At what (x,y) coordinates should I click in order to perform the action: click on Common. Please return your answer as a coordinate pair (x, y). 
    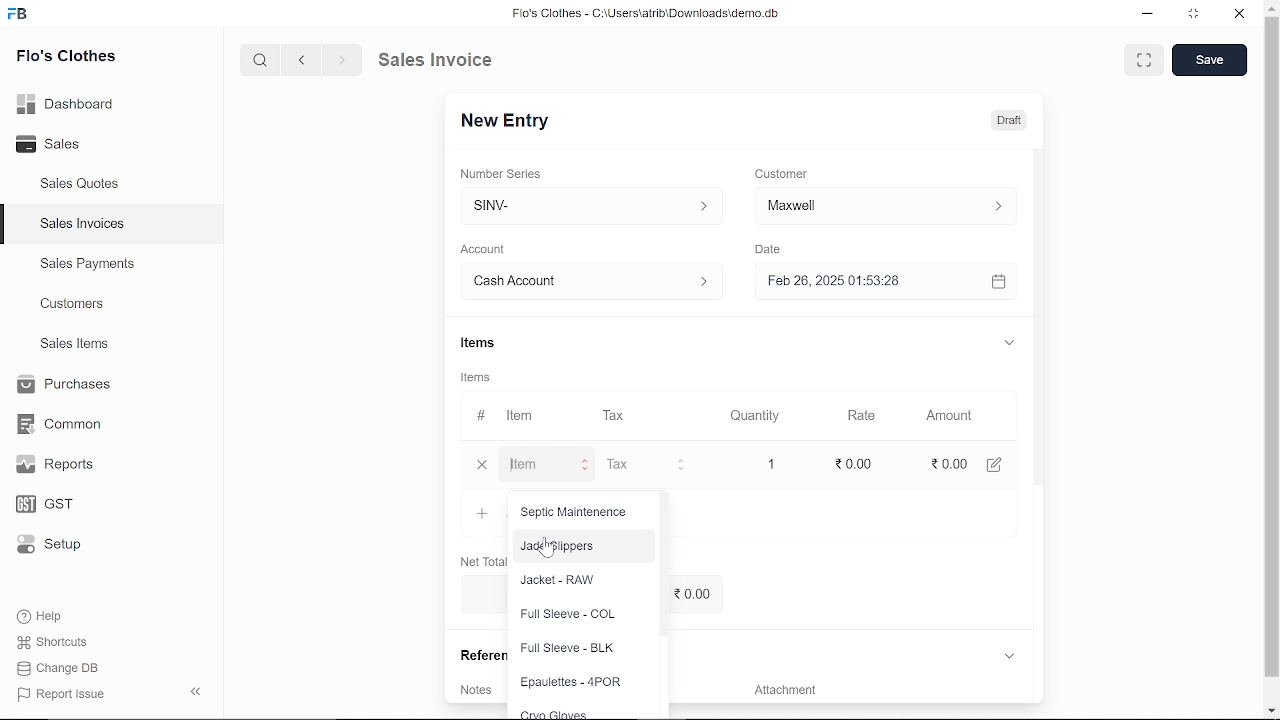
    Looking at the image, I should click on (62, 424).